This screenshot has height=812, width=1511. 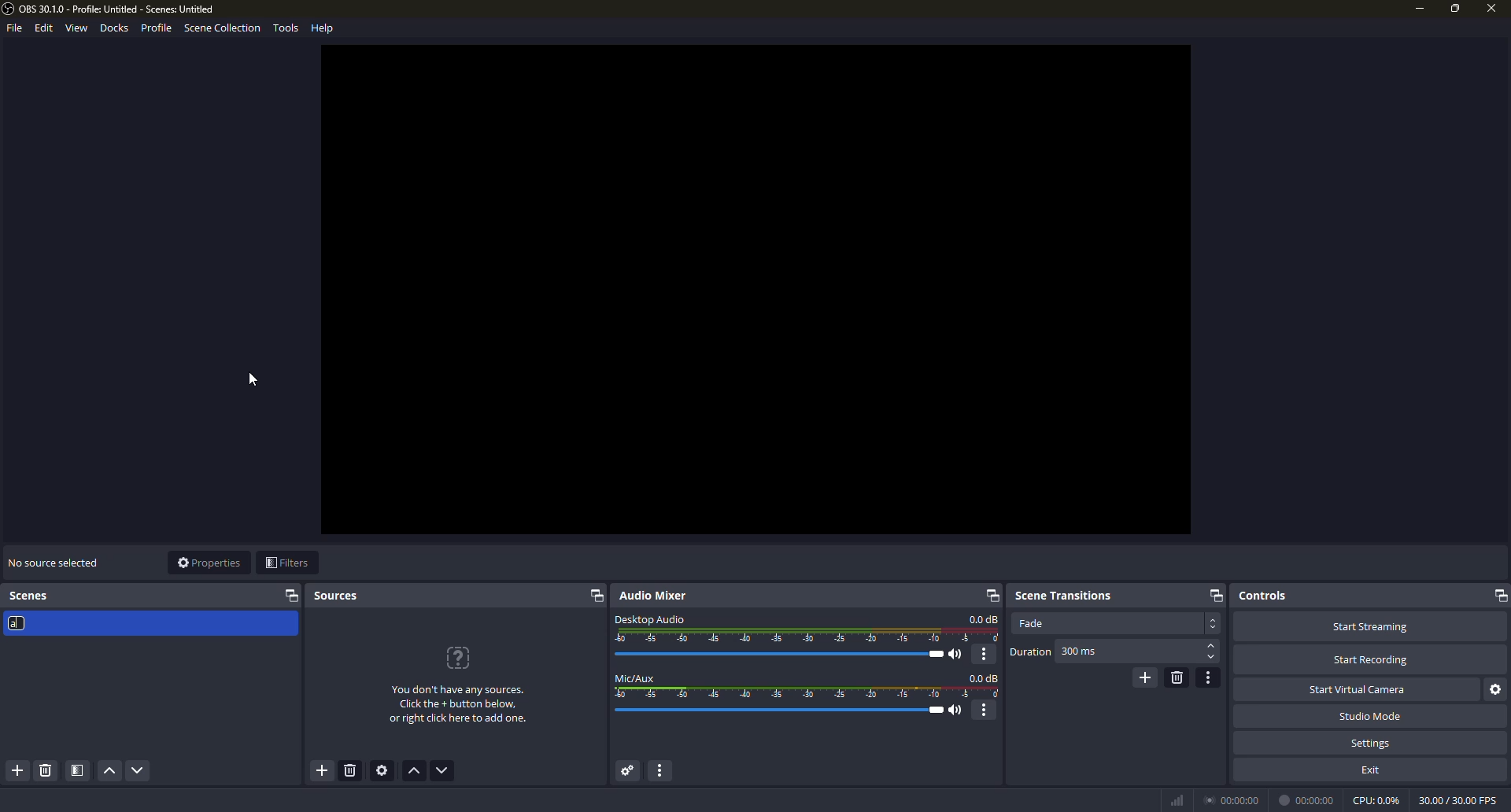 I want to click on expand, so click(x=1214, y=595).